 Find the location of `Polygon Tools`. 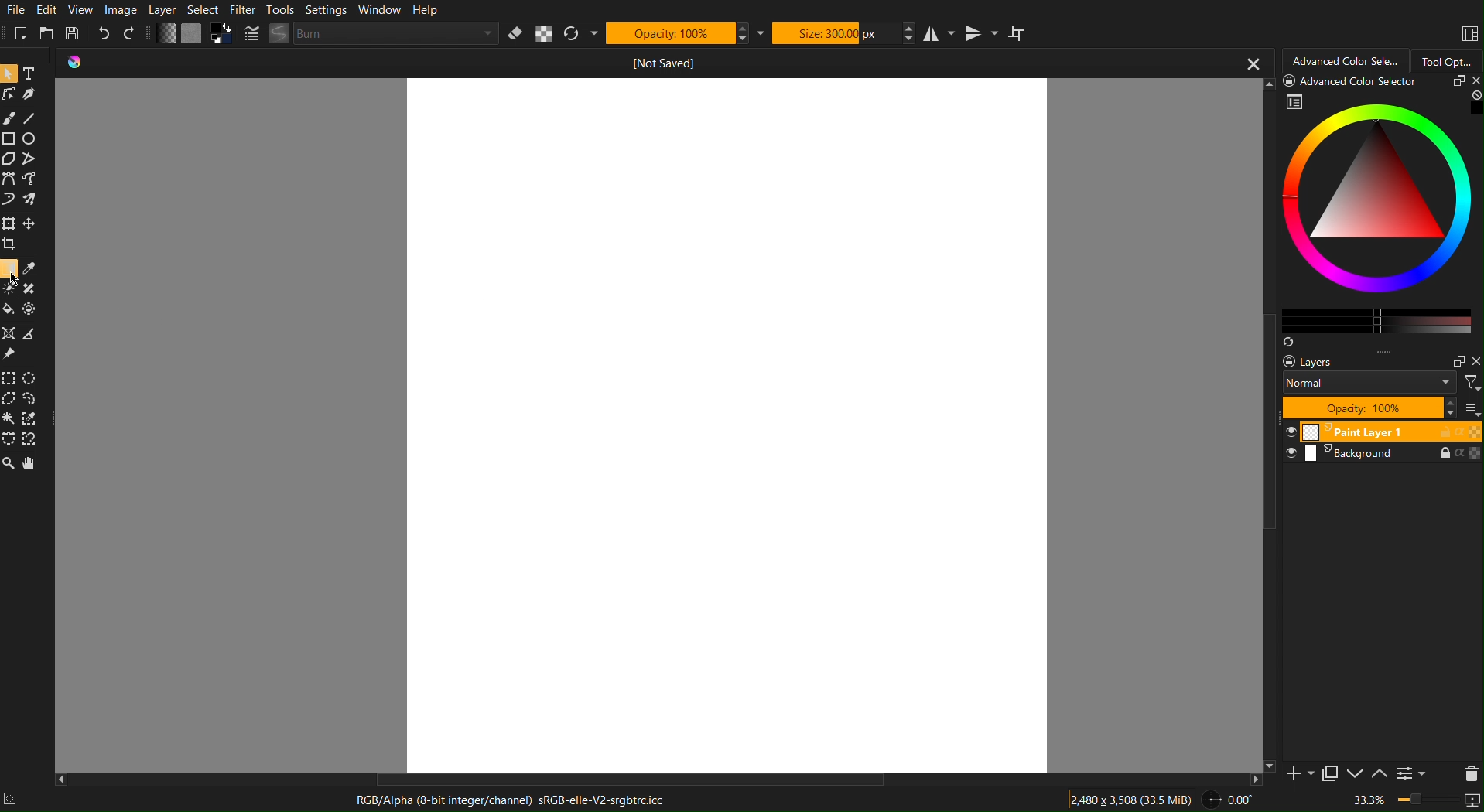

Polygon Tools is located at coordinates (22, 159).